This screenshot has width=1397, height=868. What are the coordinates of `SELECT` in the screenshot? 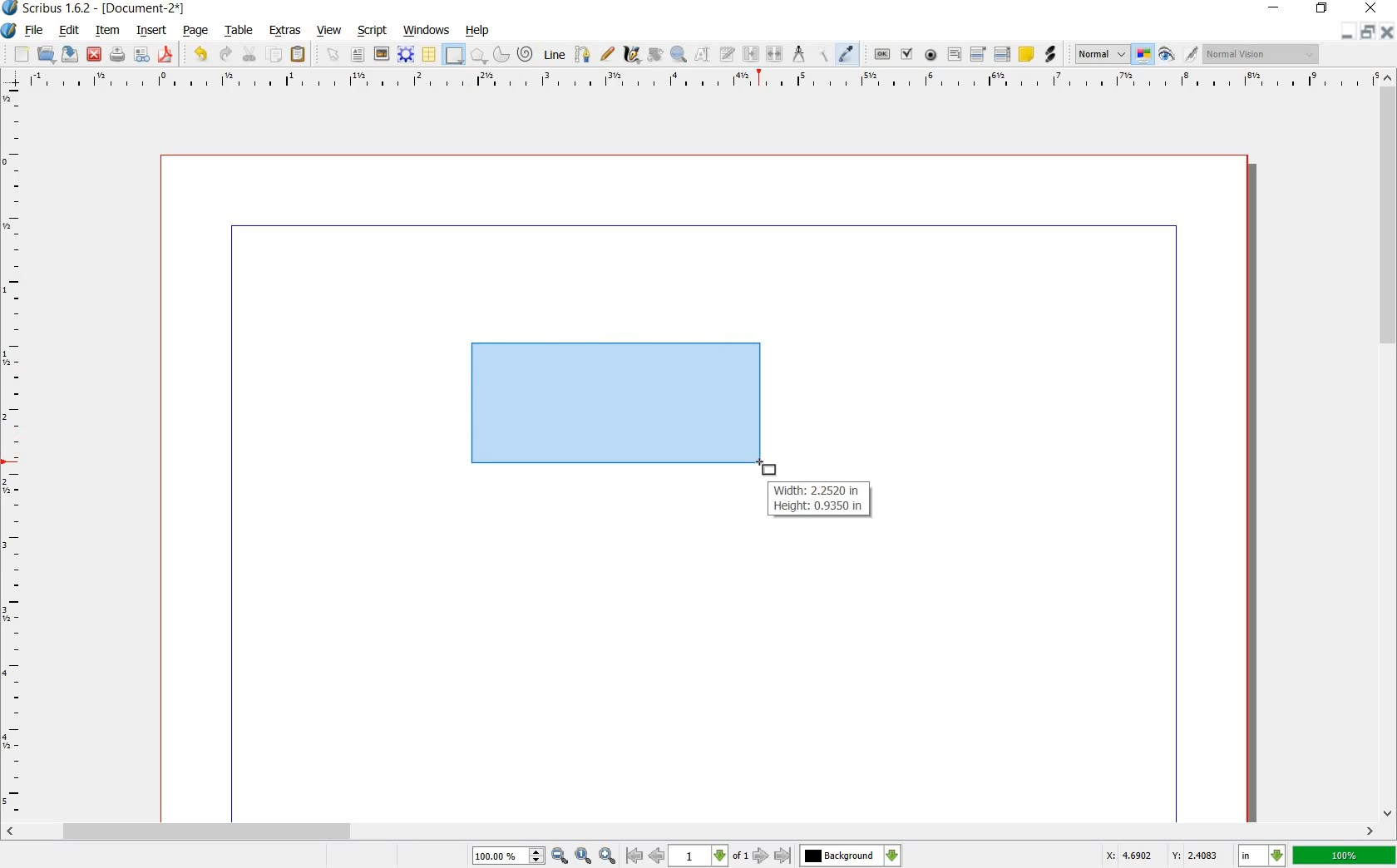 It's located at (334, 56).